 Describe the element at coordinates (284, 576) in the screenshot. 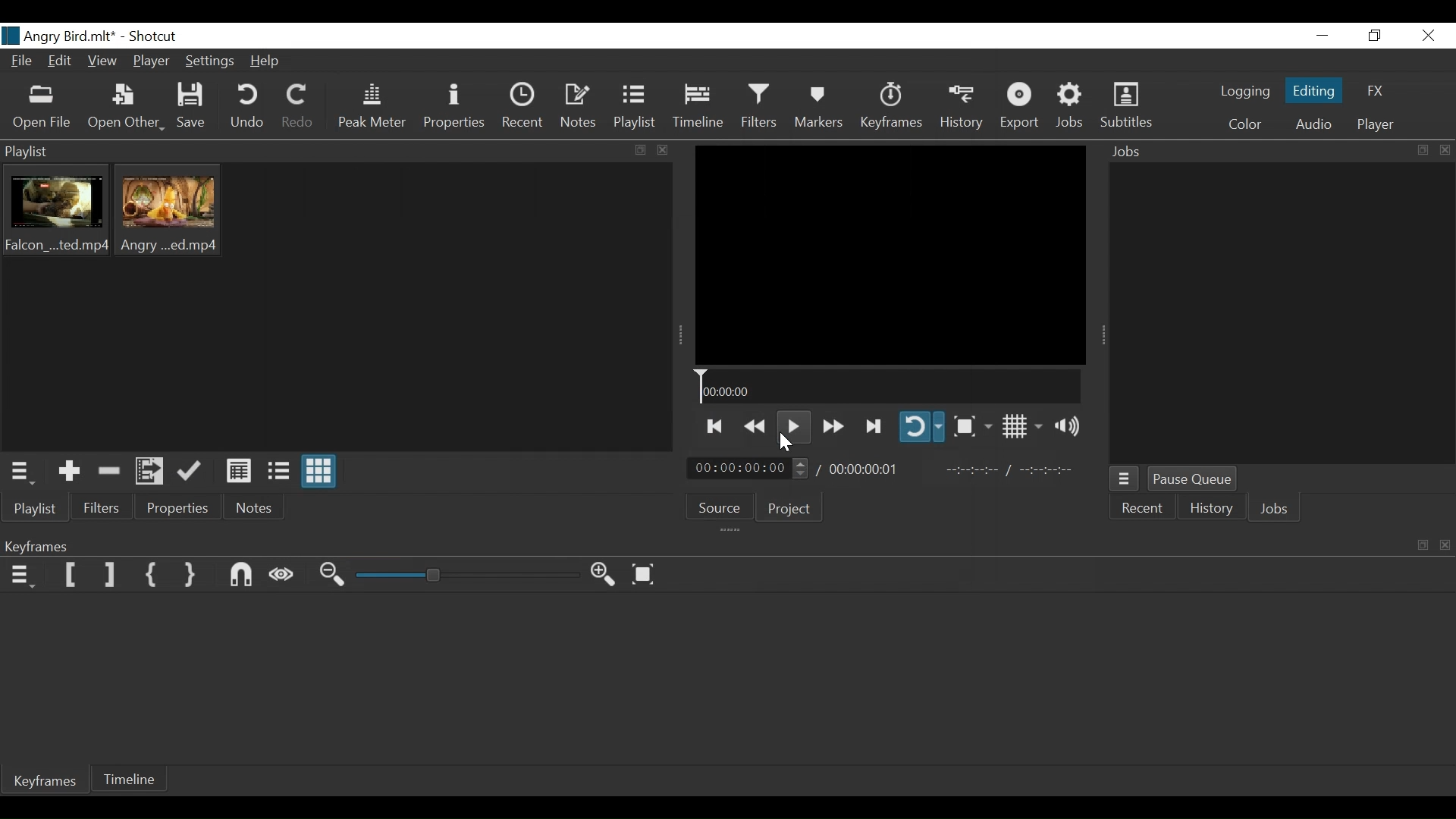

I see `Scrub While dragging` at that location.